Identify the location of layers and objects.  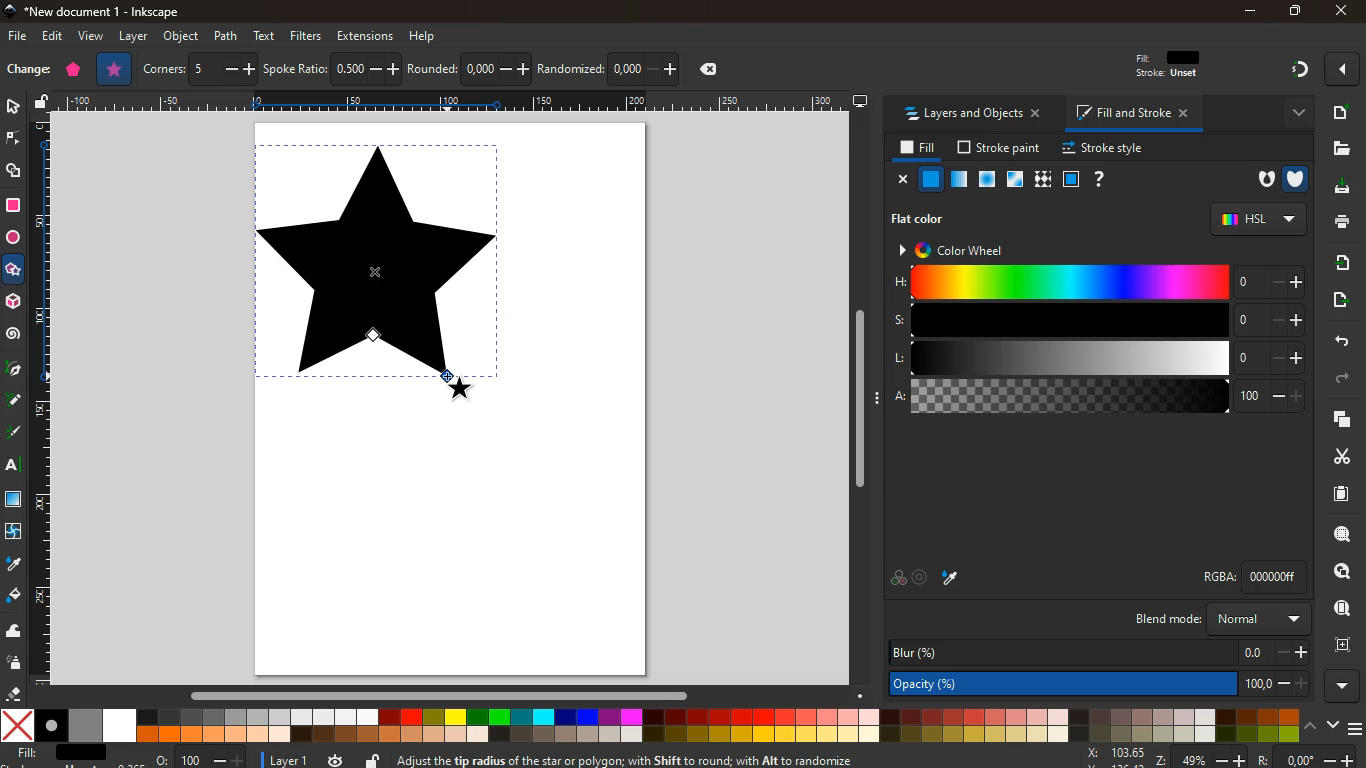
(972, 114).